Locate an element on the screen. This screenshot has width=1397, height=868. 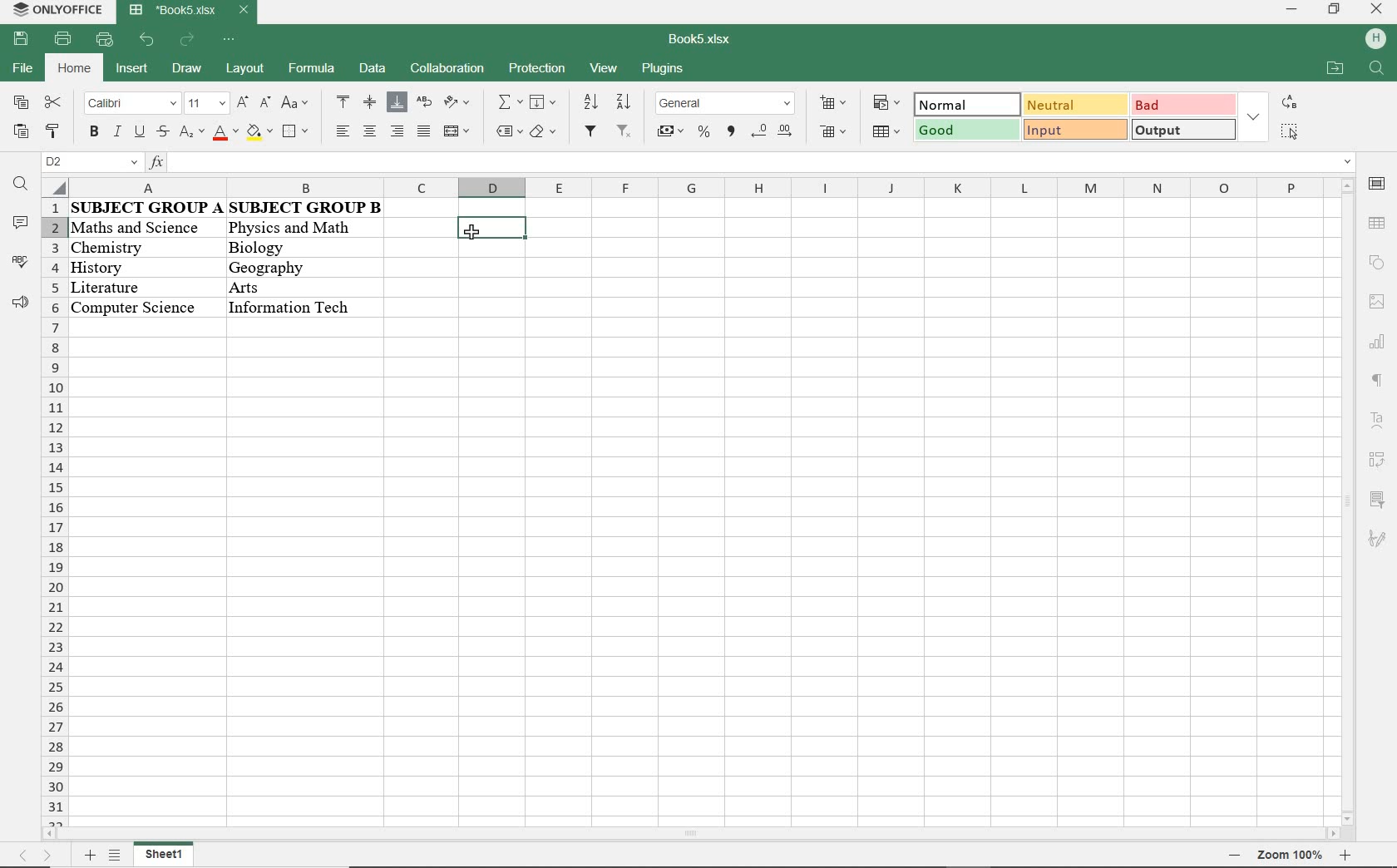
selected cell is located at coordinates (491, 228).